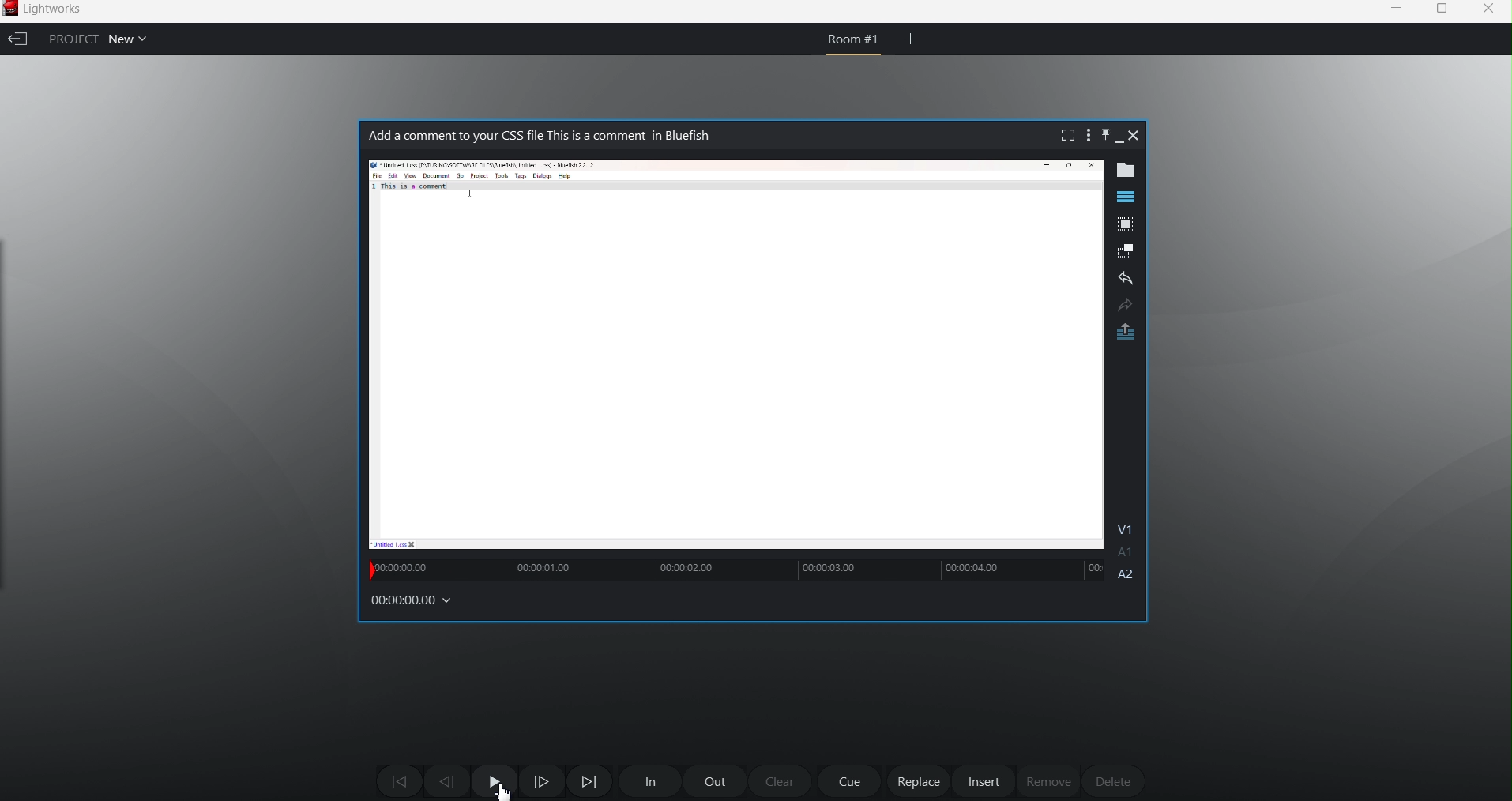  I want to click on pause and play, so click(494, 781).